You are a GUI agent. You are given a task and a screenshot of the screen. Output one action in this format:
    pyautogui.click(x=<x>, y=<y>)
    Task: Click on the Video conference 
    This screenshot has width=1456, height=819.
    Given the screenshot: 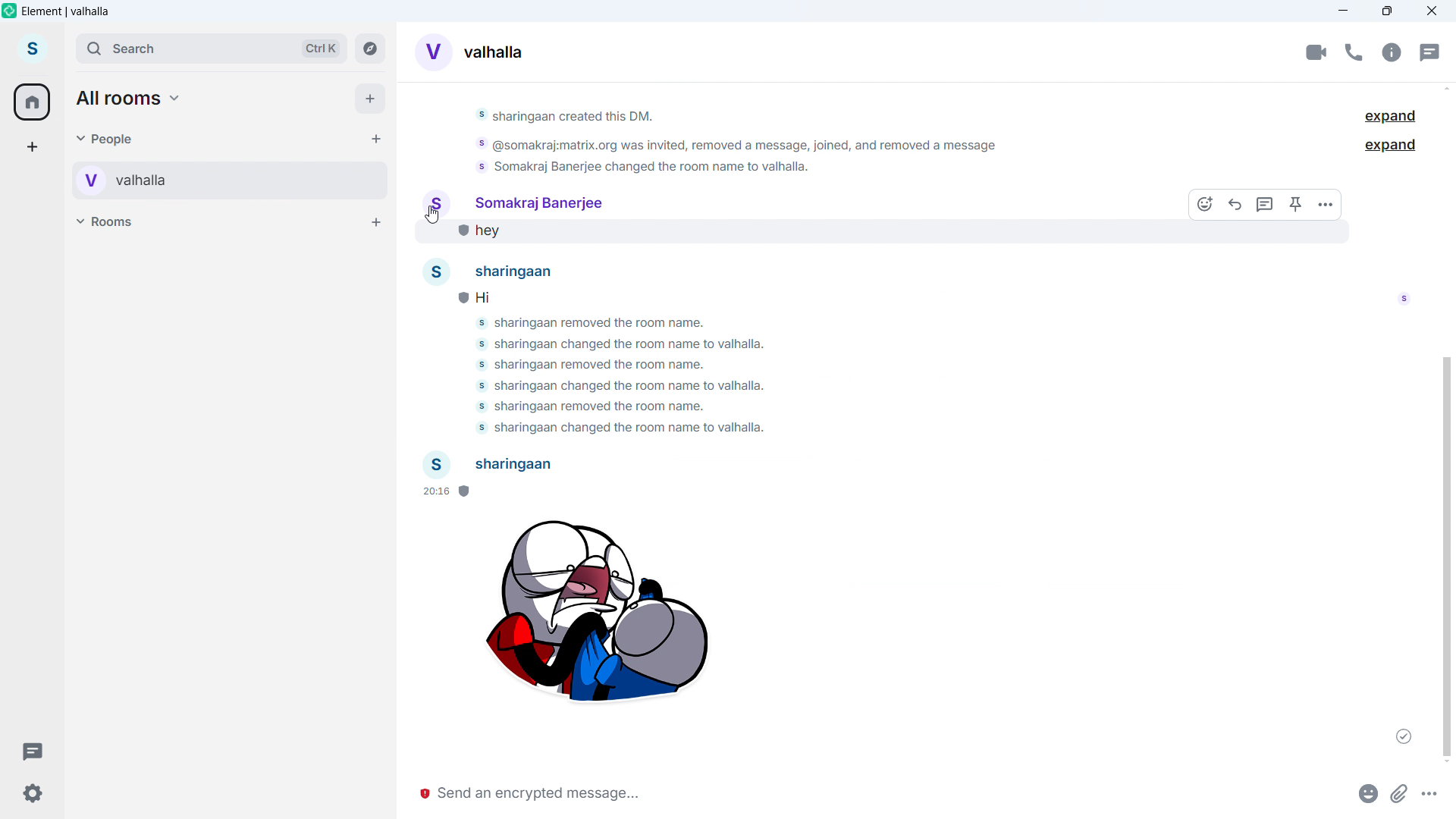 What is the action you would take?
    pyautogui.click(x=1316, y=52)
    